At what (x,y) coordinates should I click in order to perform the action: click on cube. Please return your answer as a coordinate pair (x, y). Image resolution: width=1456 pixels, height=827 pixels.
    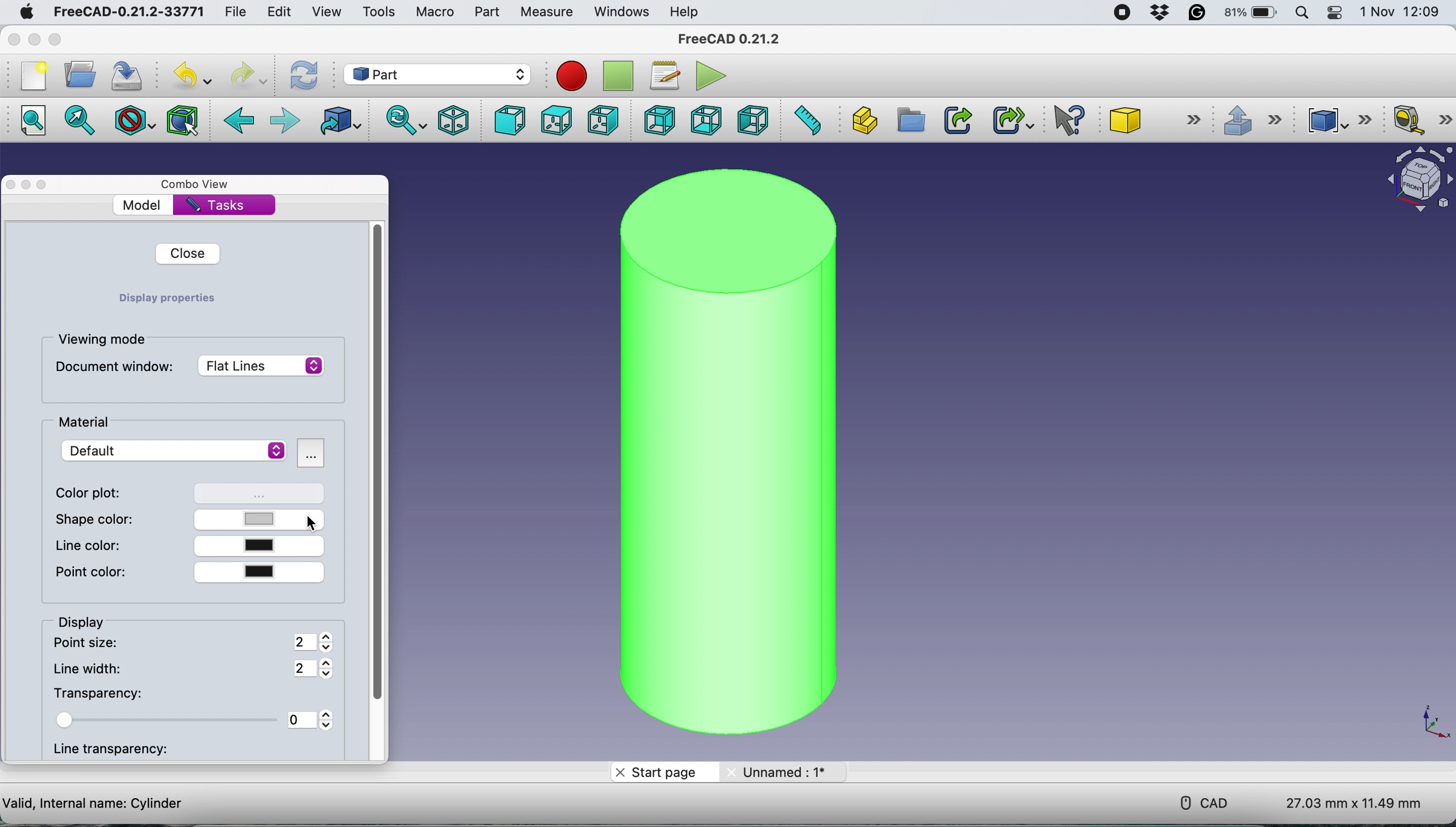
    Looking at the image, I should click on (1155, 118).